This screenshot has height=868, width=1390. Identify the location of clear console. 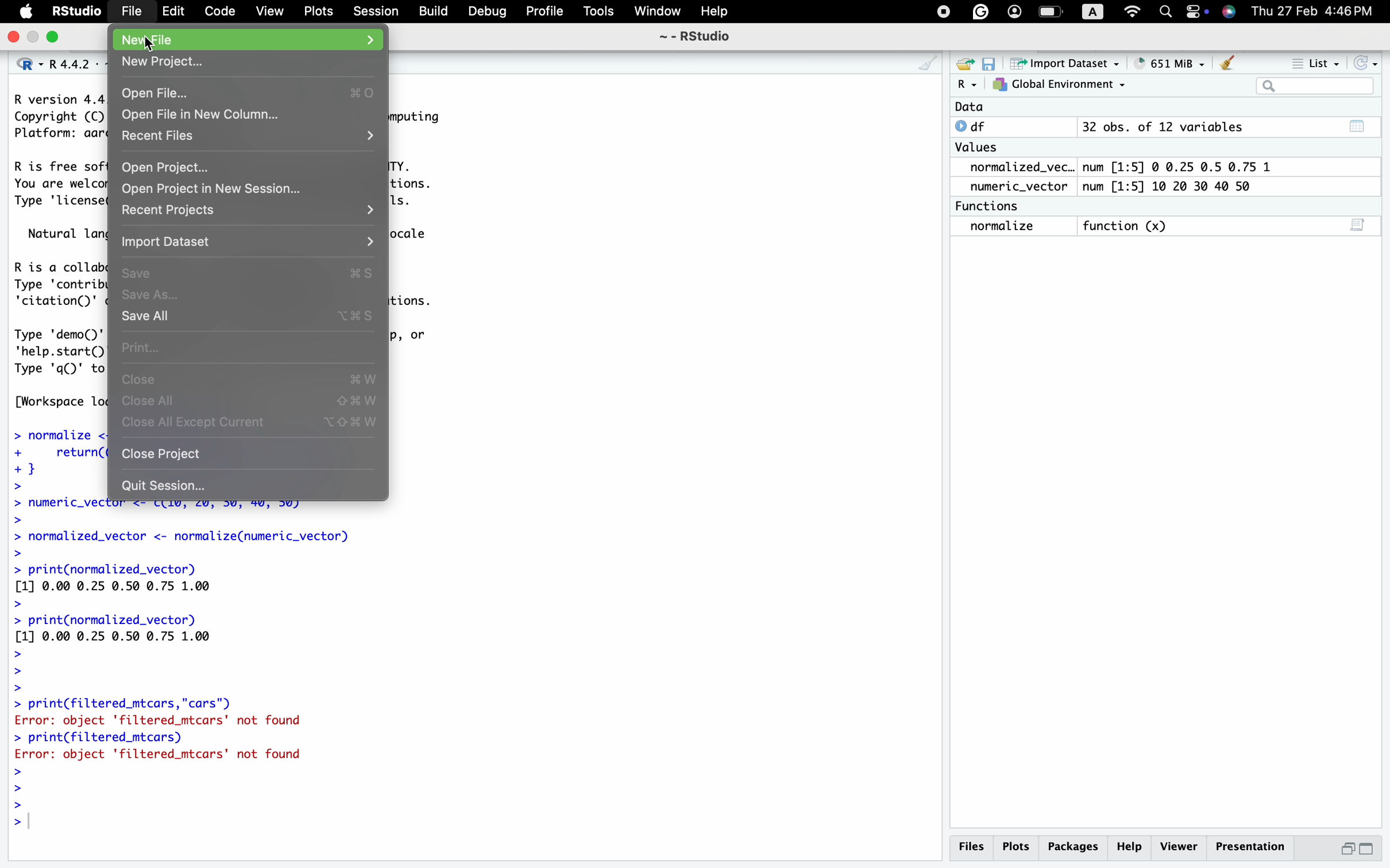
(922, 60).